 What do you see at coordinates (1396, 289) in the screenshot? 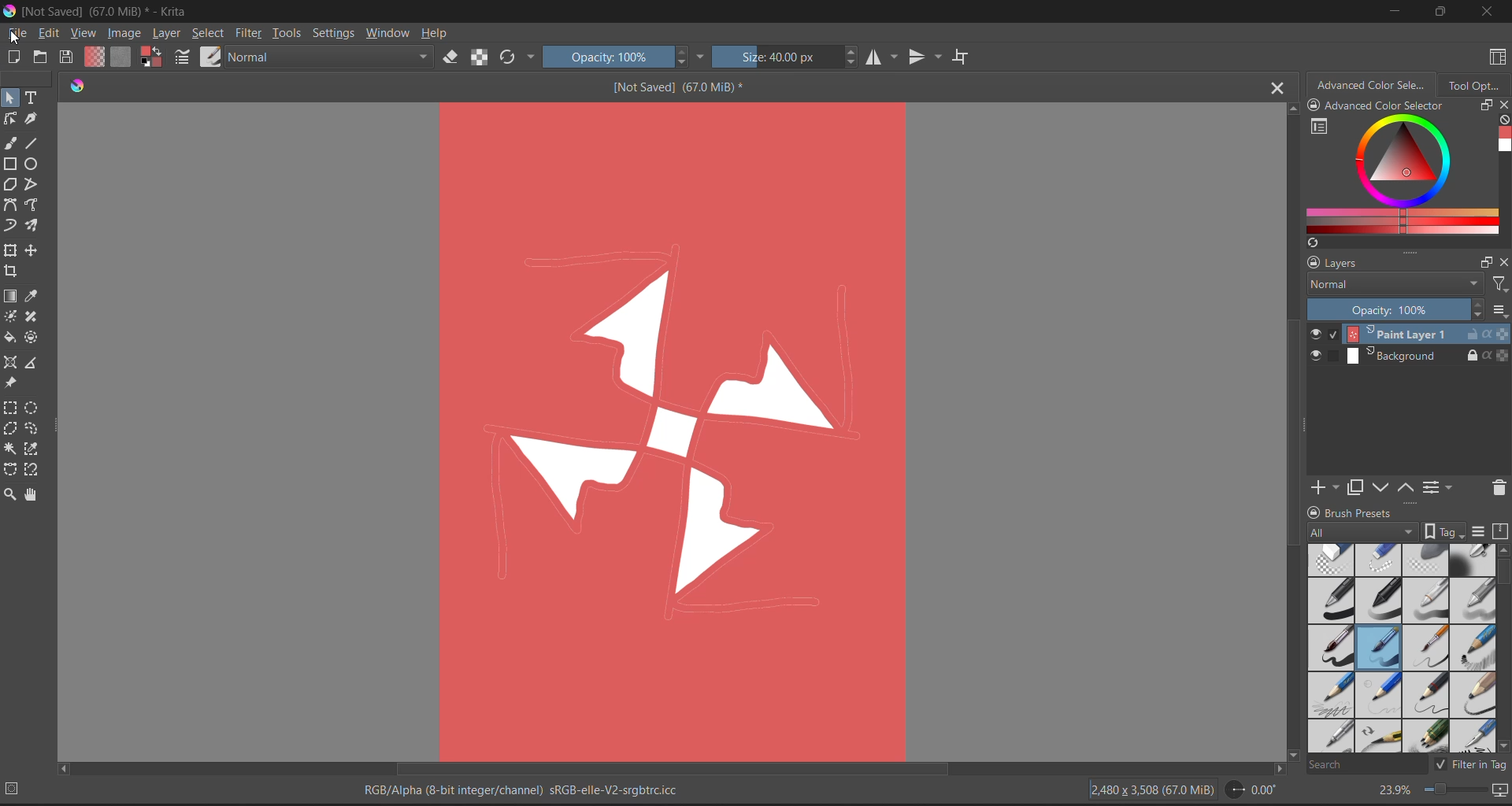
I see `normal` at bounding box center [1396, 289].